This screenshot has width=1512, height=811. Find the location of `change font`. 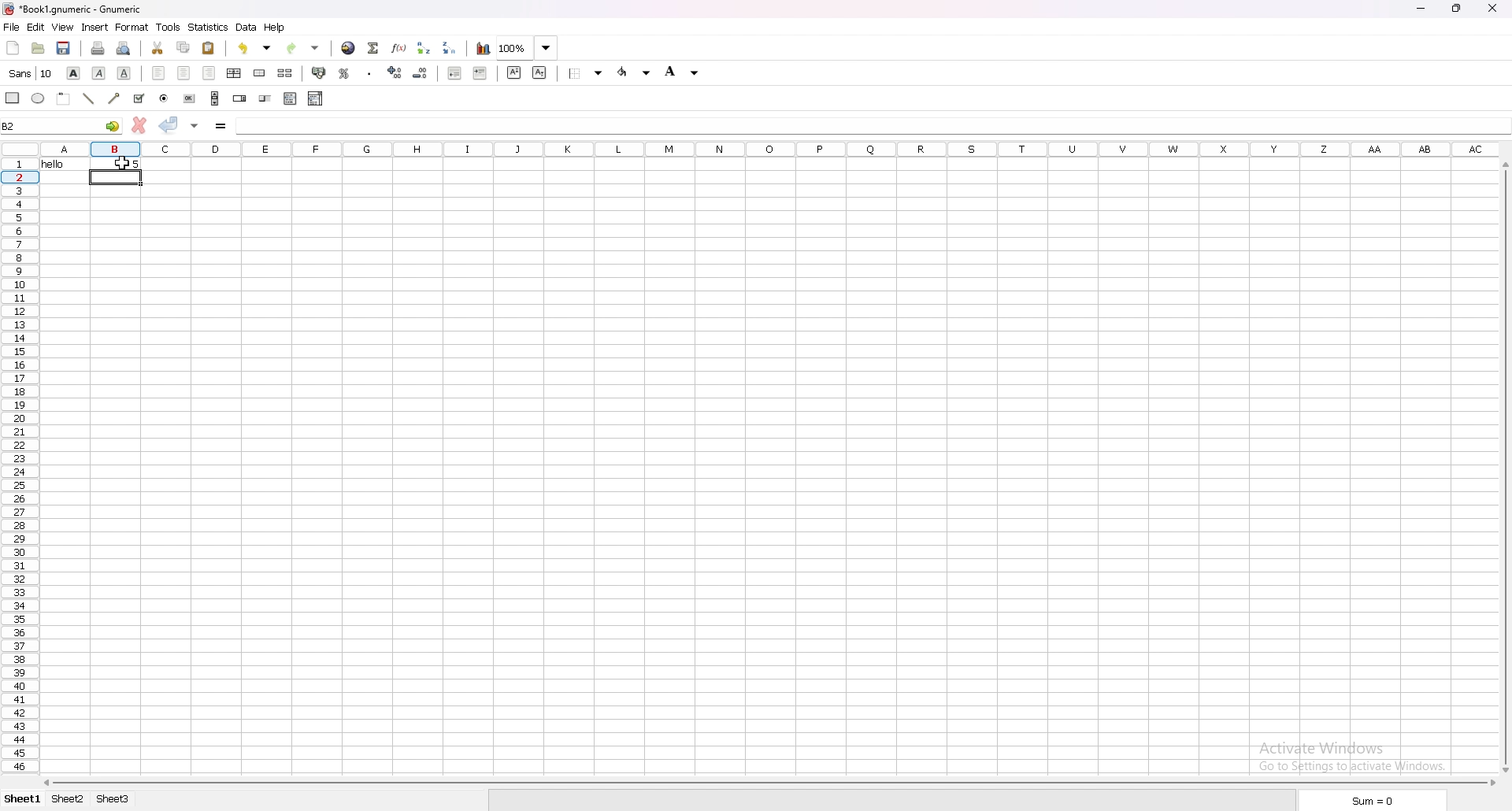

change font is located at coordinates (30, 73).